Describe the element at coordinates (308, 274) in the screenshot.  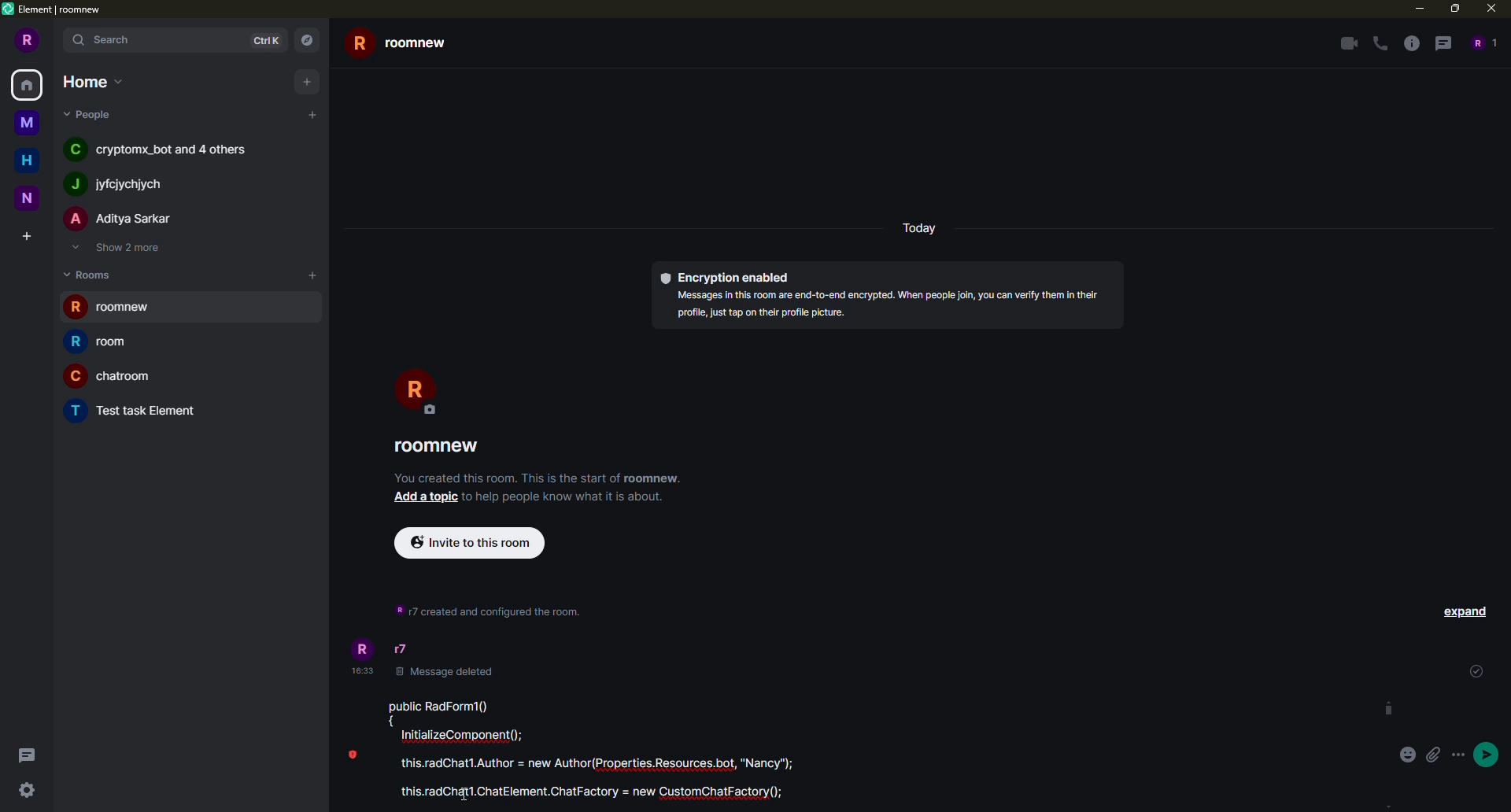
I see `add` at that location.